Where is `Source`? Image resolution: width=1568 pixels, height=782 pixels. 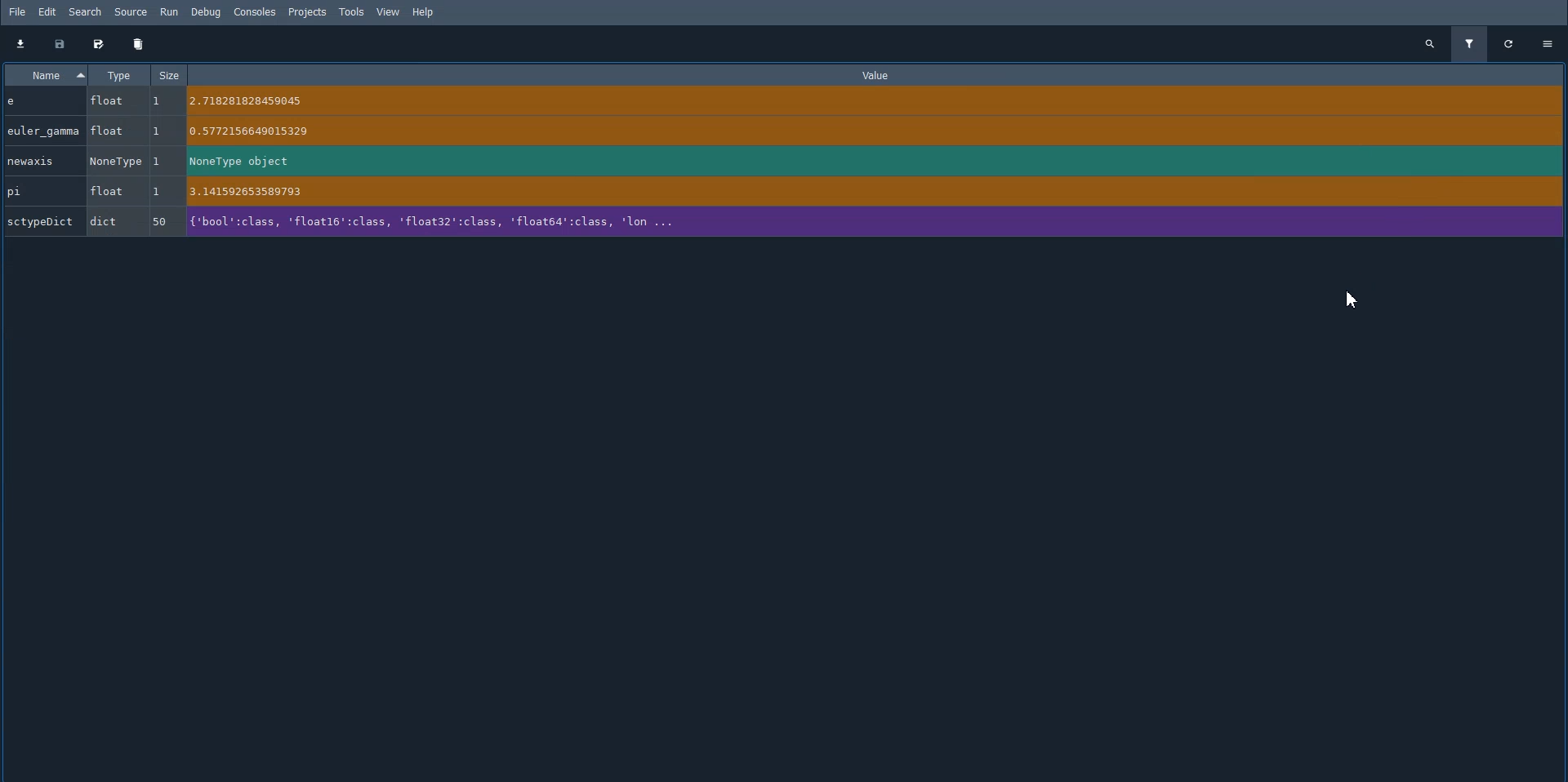
Source is located at coordinates (132, 12).